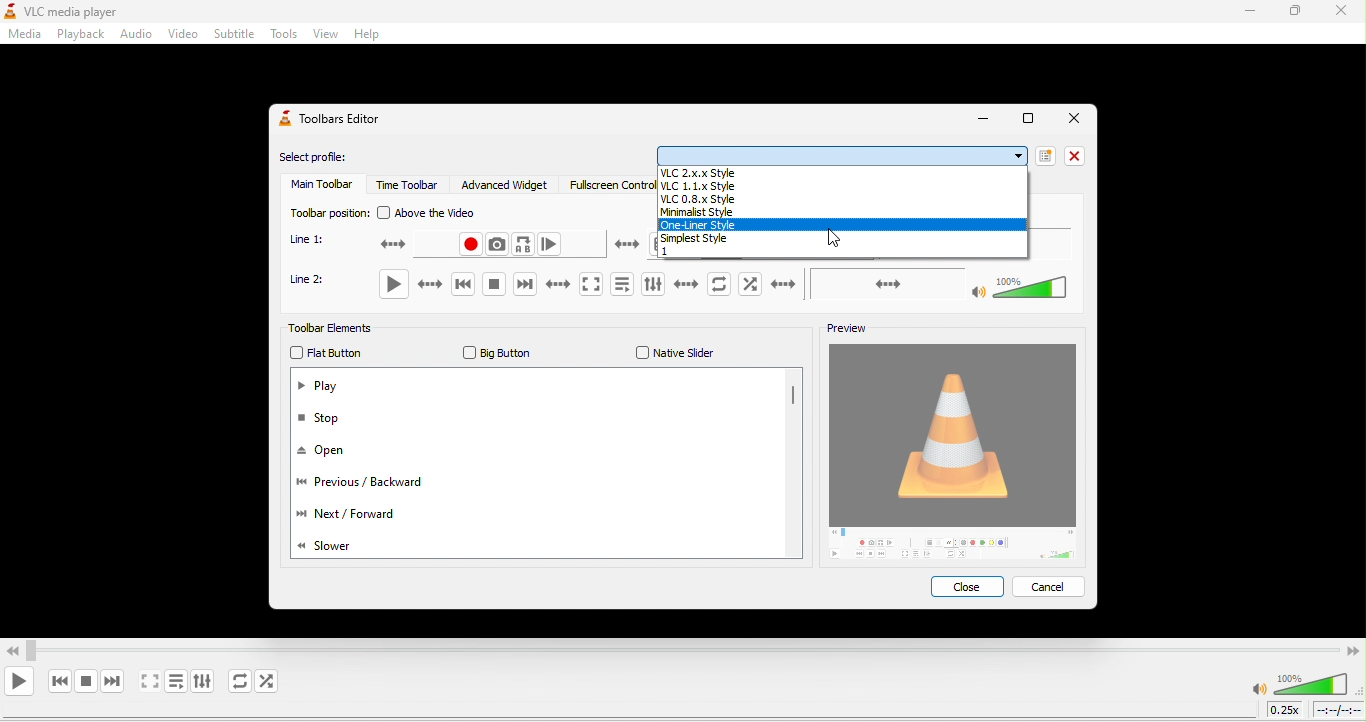  What do you see at coordinates (233, 33) in the screenshot?
I see `subtitle` at bounding box center [233, 33].